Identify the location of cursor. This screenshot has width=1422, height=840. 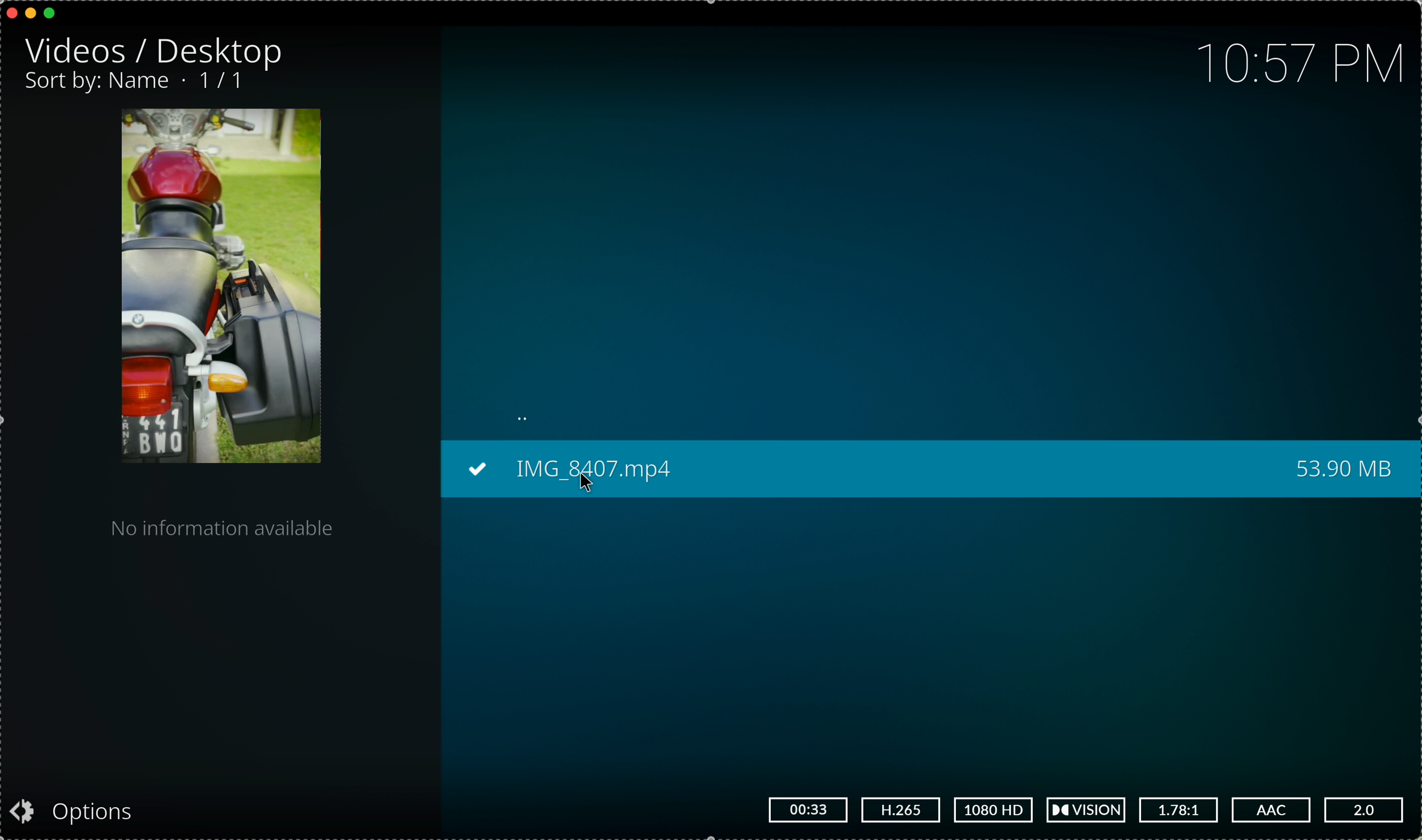
(590, 488).